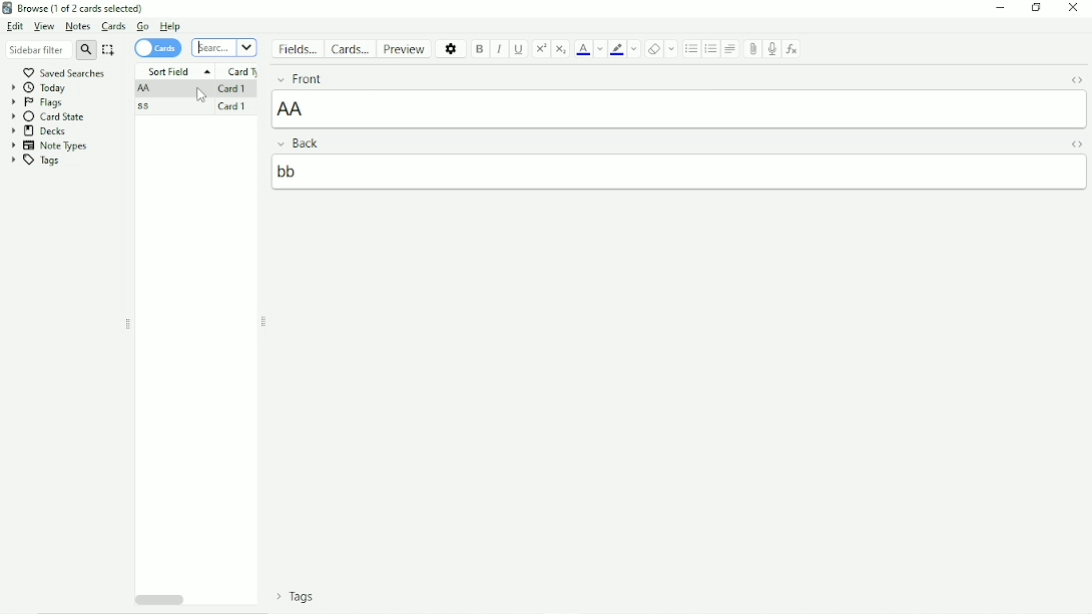  What do you see at coordinates (38, 88) in the screenshot?
I see `Today` at bounding box center [38, 88].